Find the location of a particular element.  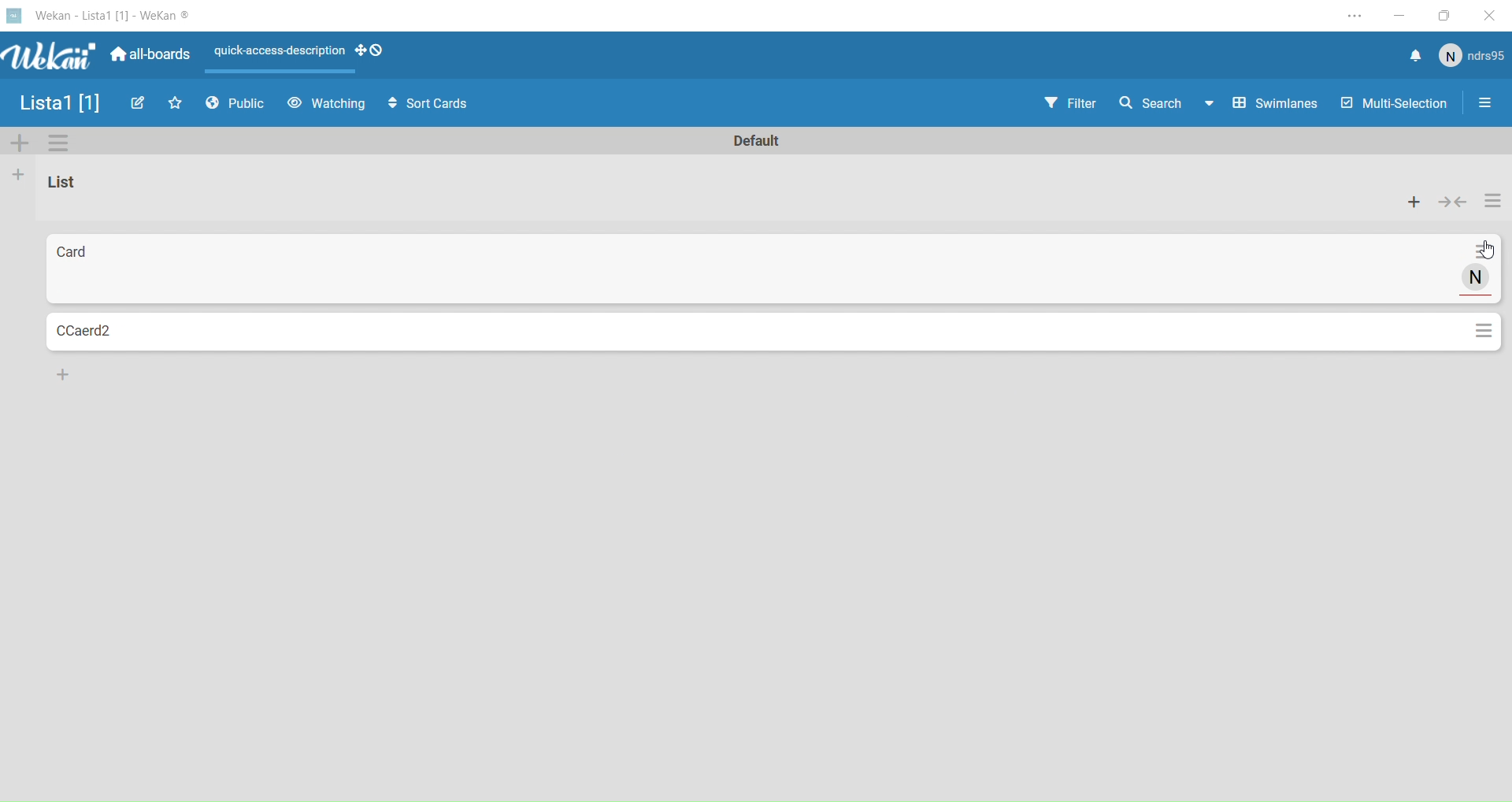

List is located at coordinates (57, 106).